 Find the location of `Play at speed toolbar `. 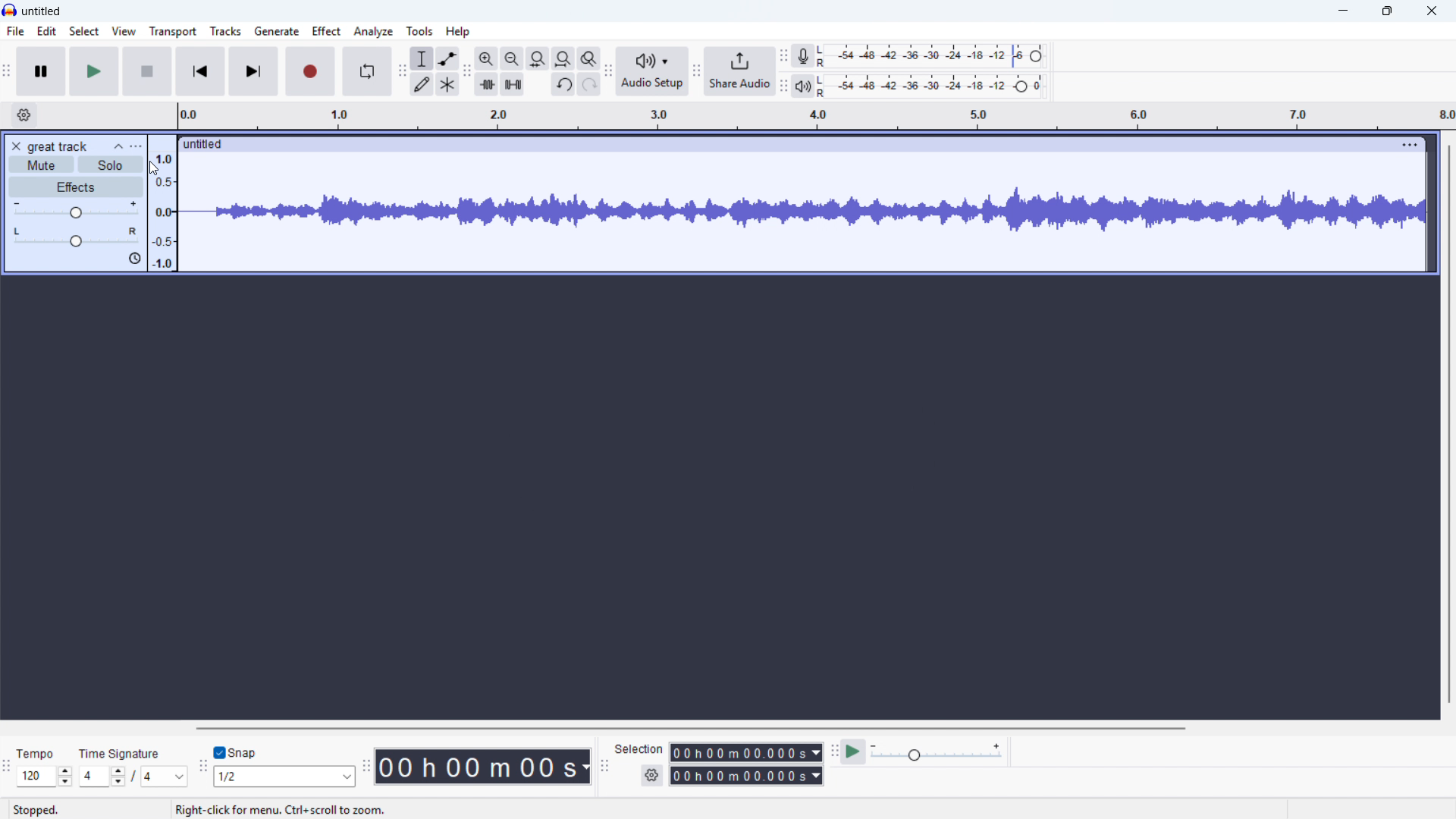

Play at speed toolbar  is located at coordinates (833, 750).